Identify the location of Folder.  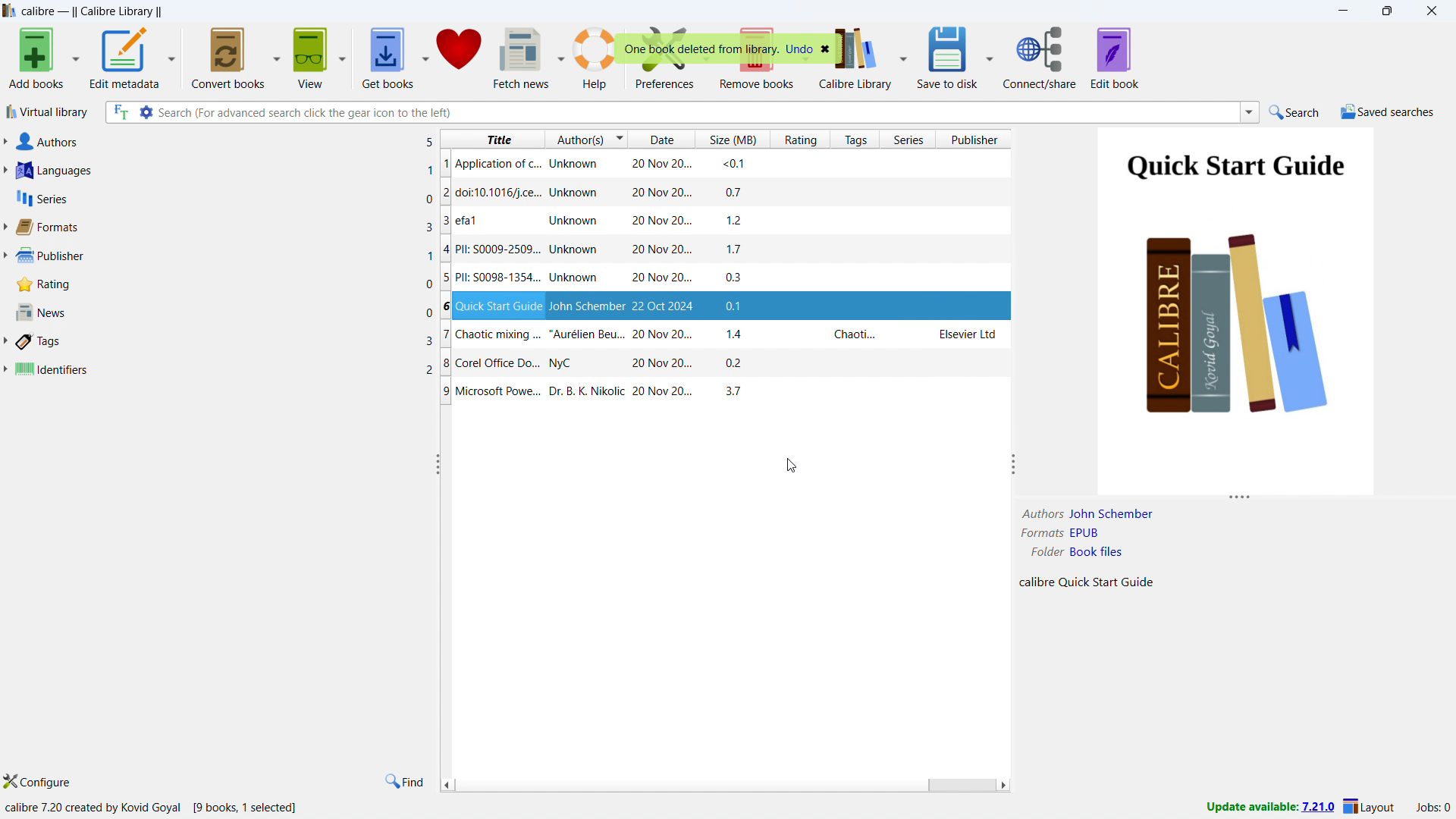
(1044, 533).